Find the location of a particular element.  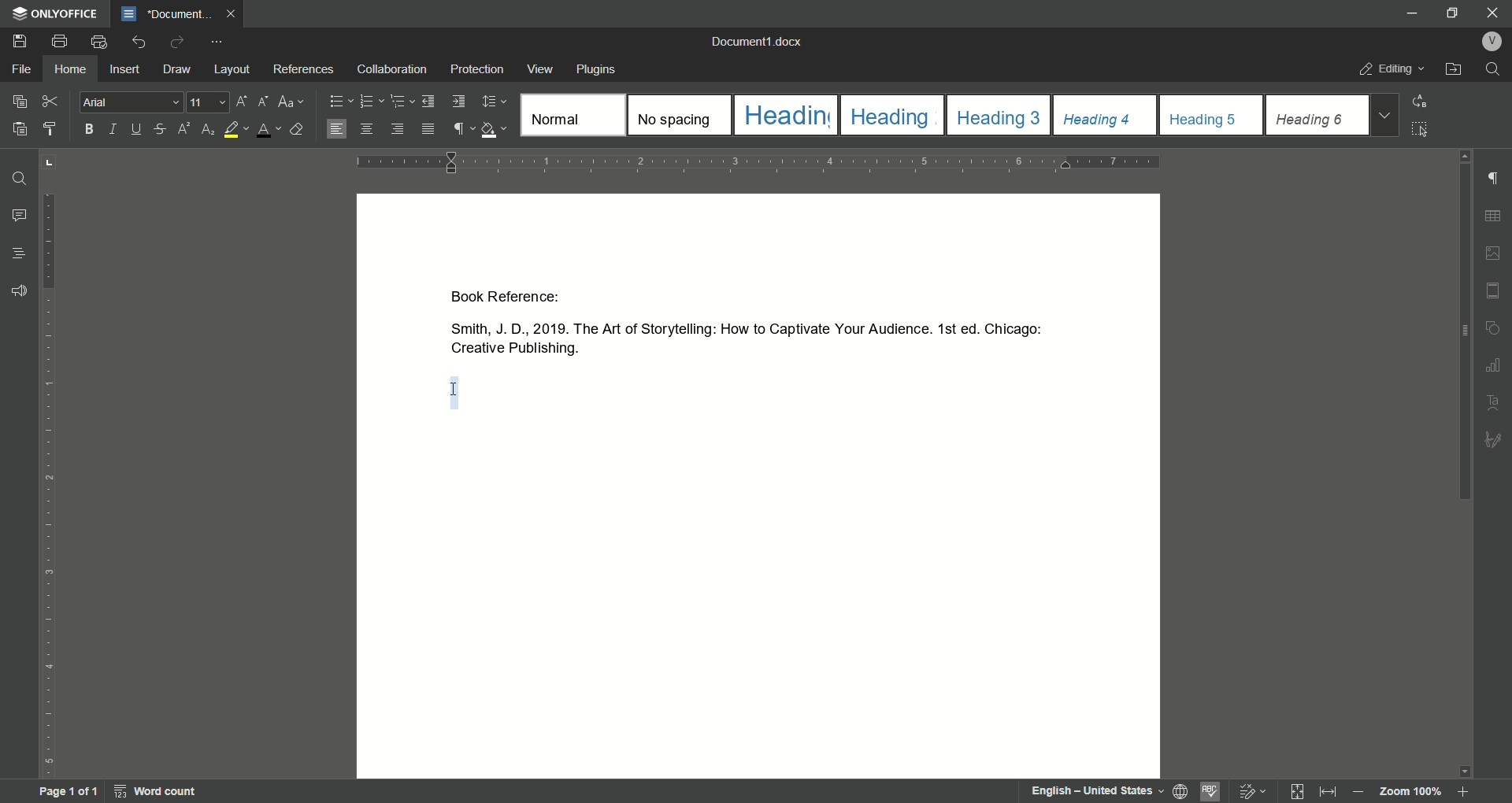

text language is located at coordinates (1099, 790).